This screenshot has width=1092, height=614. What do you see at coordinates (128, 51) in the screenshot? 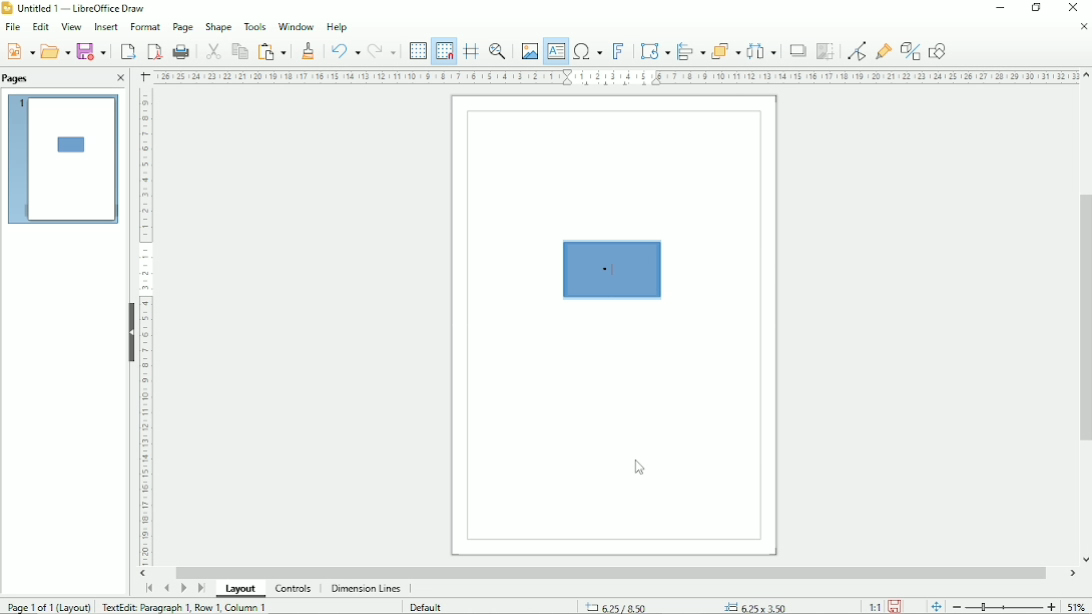
I see `export` at bounding box center [128, 51].